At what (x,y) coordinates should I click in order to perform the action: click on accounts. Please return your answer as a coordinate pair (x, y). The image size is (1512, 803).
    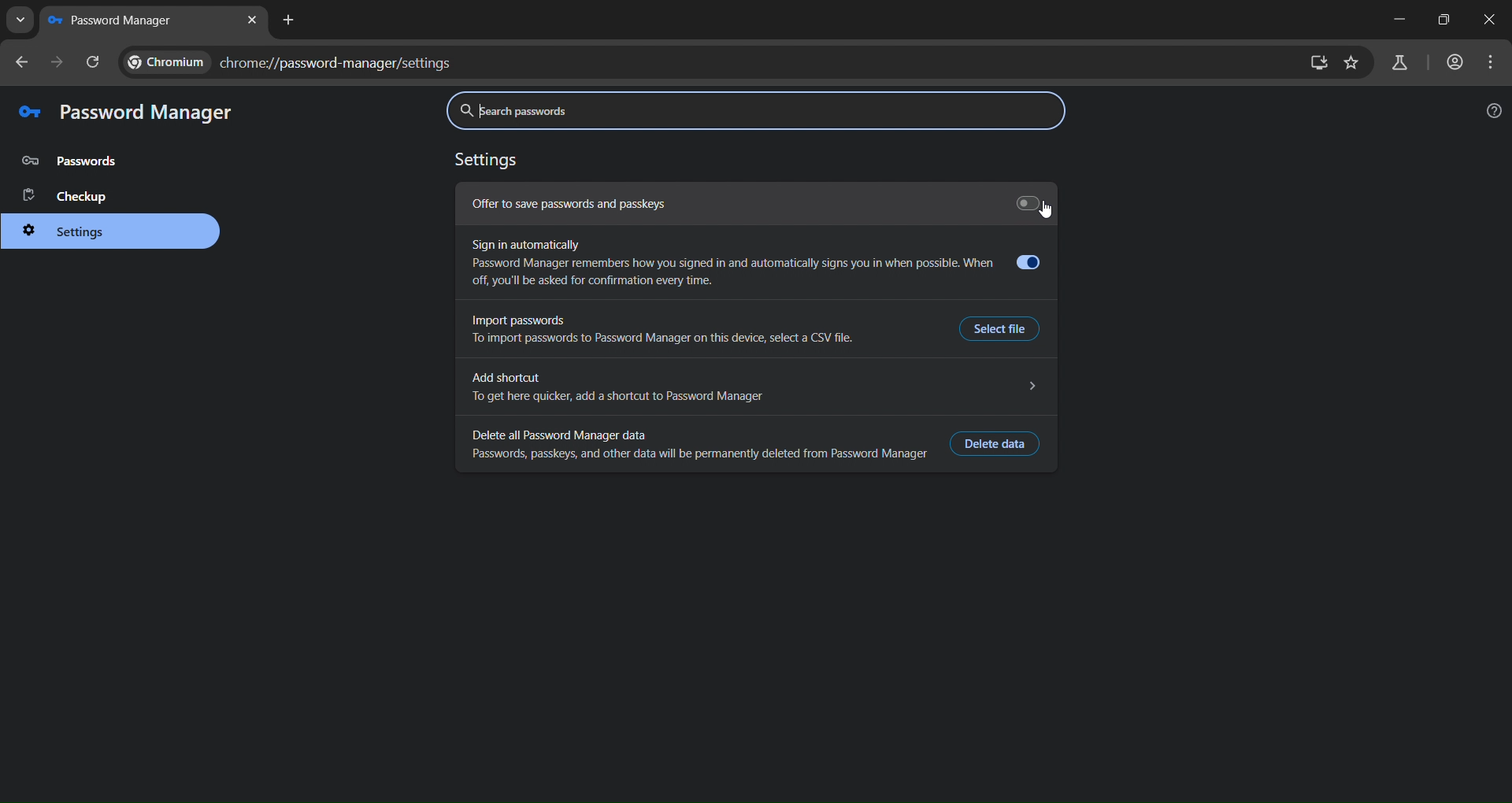
    Looking at the image, I should click on (1456, 61).